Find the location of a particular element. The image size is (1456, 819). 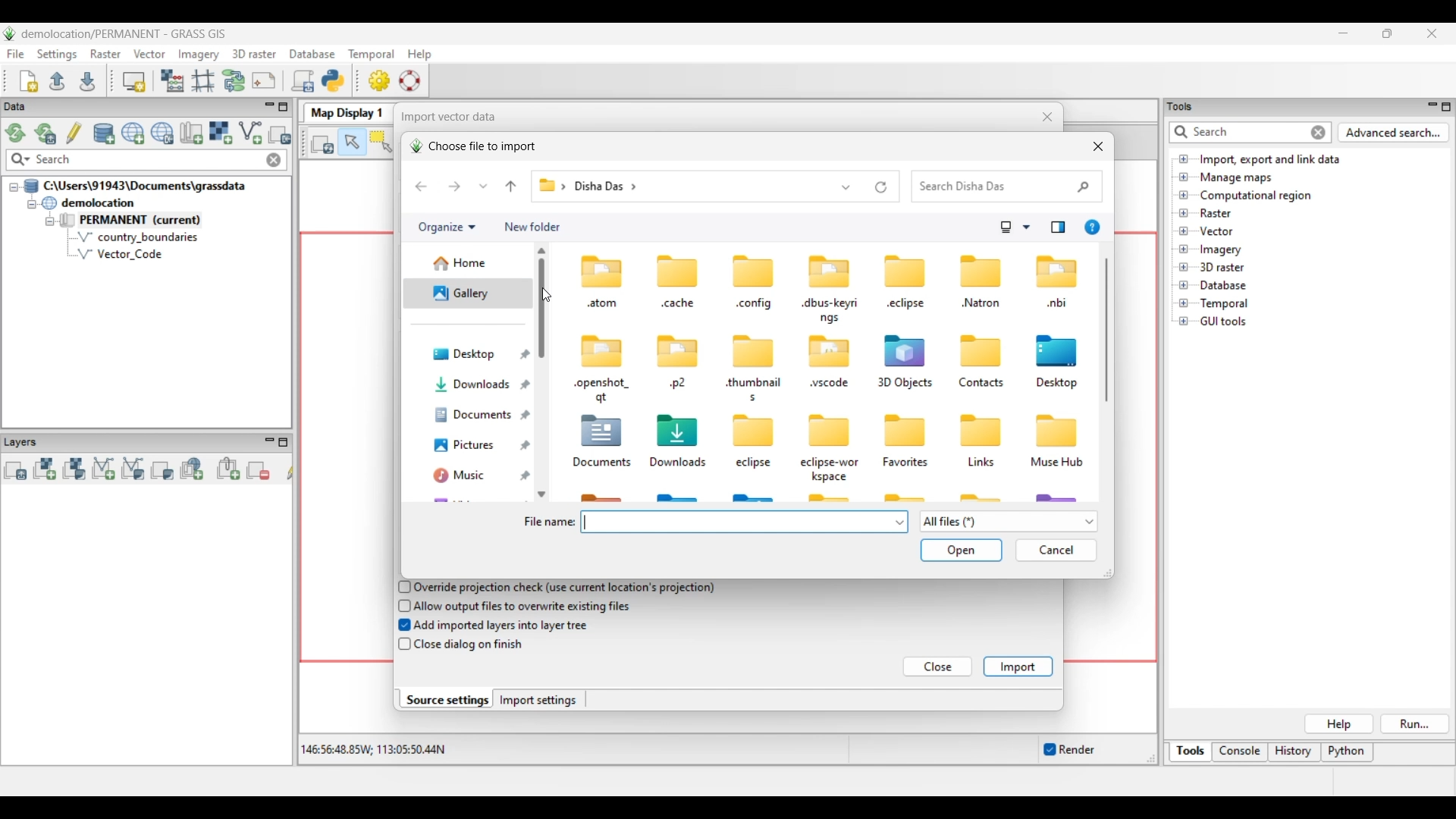

Reload current GRASS mapset only is located at coordinates (45, 133).